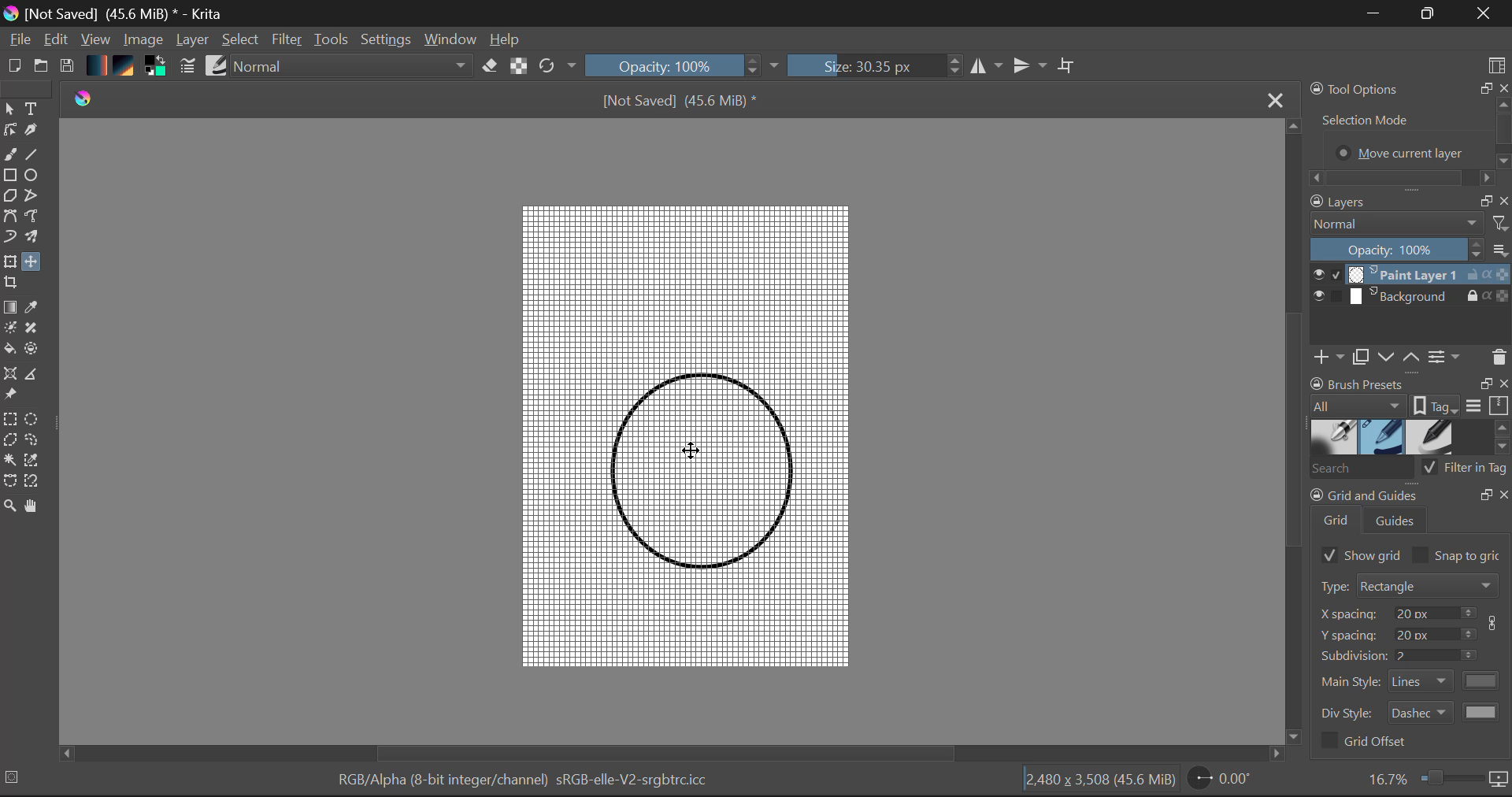  I want to click on Lock Alpha, so click(518, 67).